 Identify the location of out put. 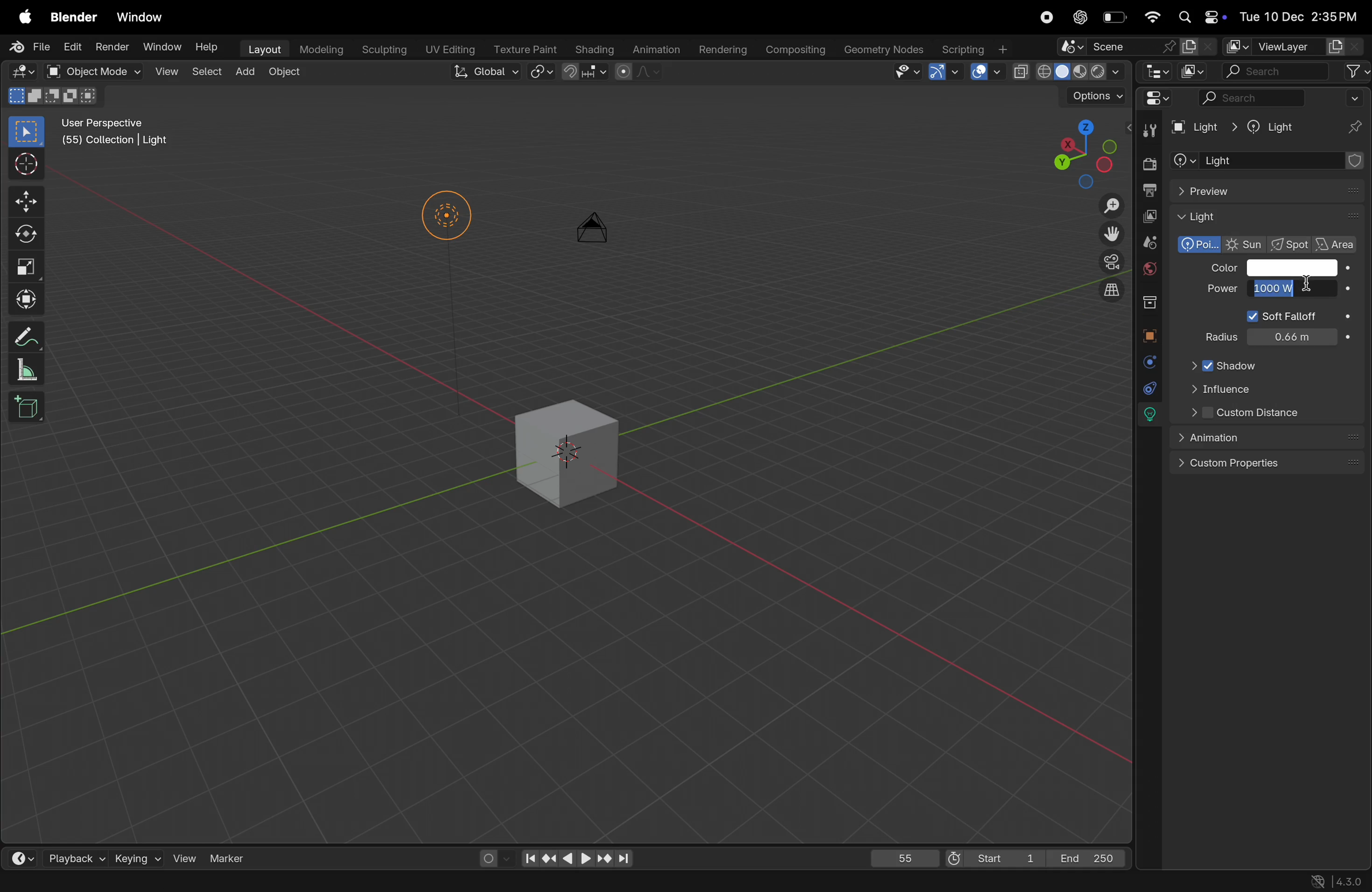
(1149, 189).